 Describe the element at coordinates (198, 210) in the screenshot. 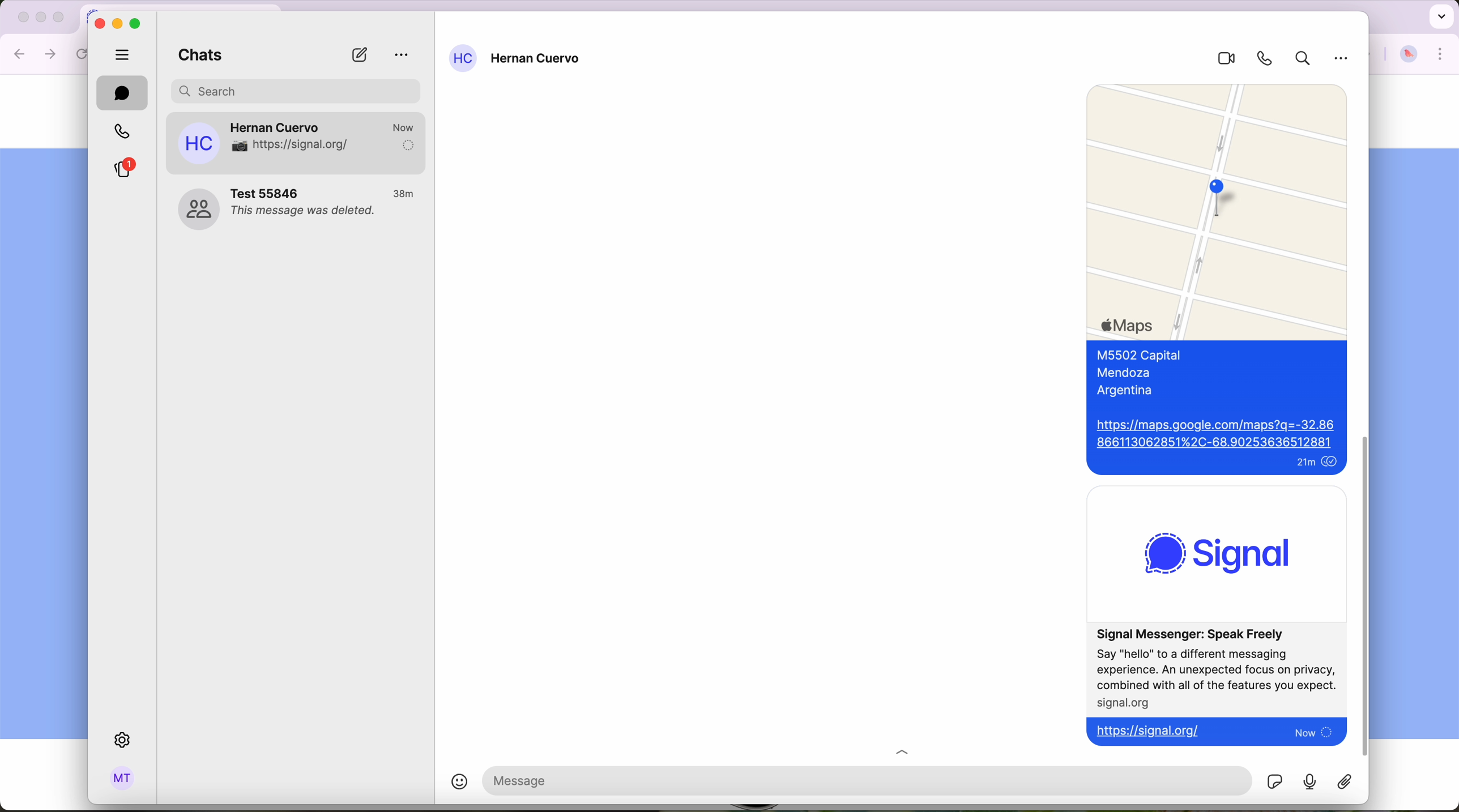

I see `00
ca` at that location.